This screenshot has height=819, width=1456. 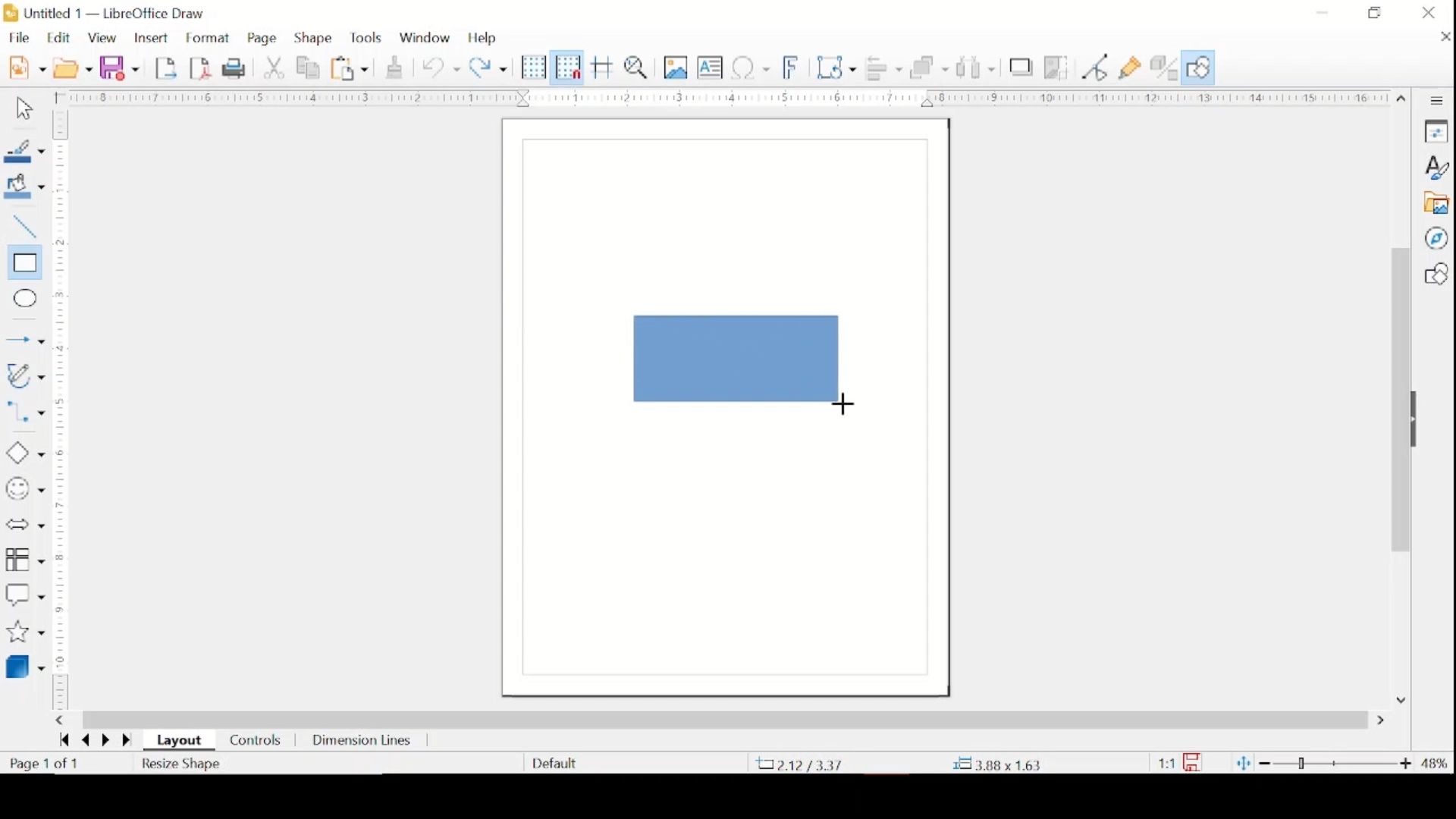 I want to click on symbols and shapes, so click(x=24, y=489).